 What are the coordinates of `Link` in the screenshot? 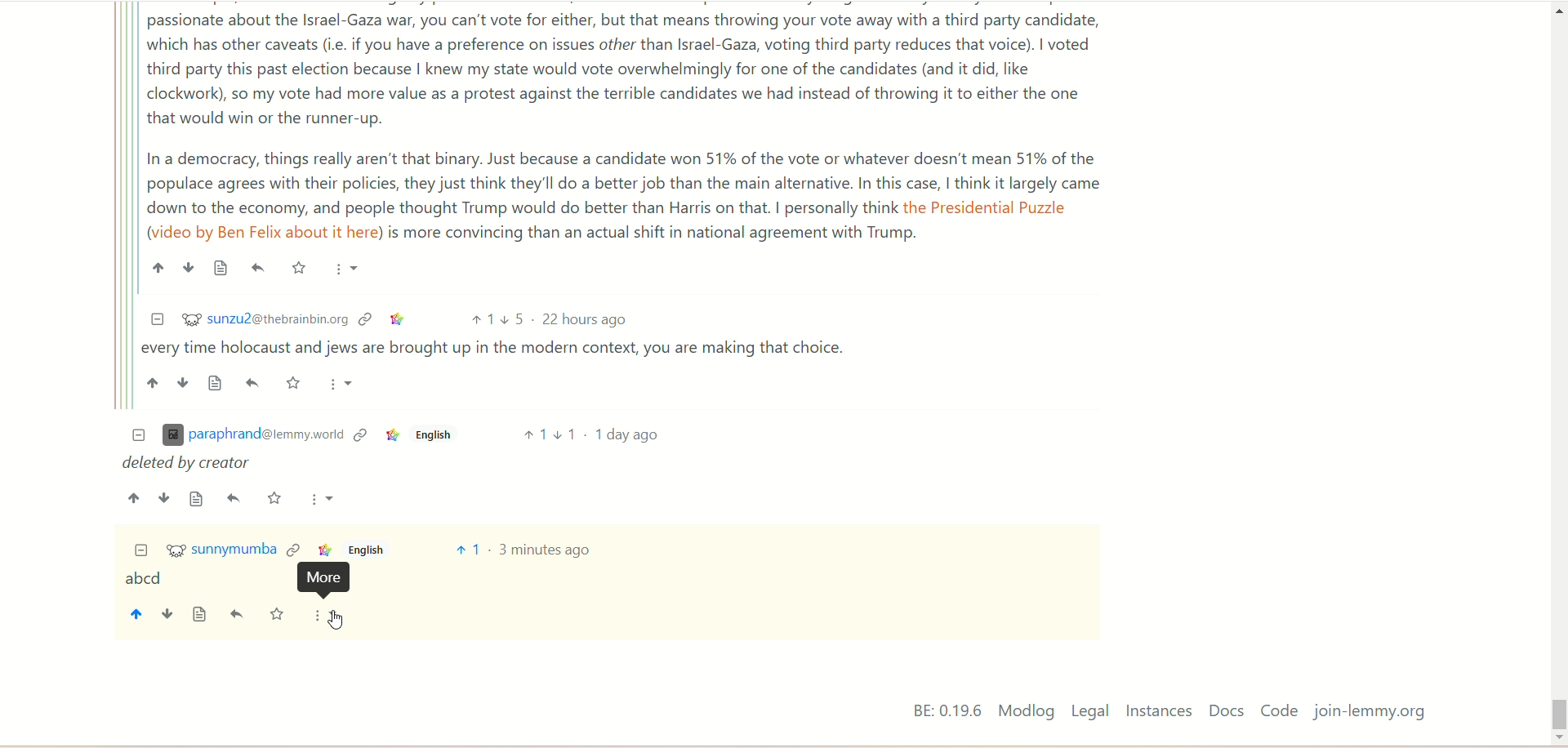 It's located at (399, 320).